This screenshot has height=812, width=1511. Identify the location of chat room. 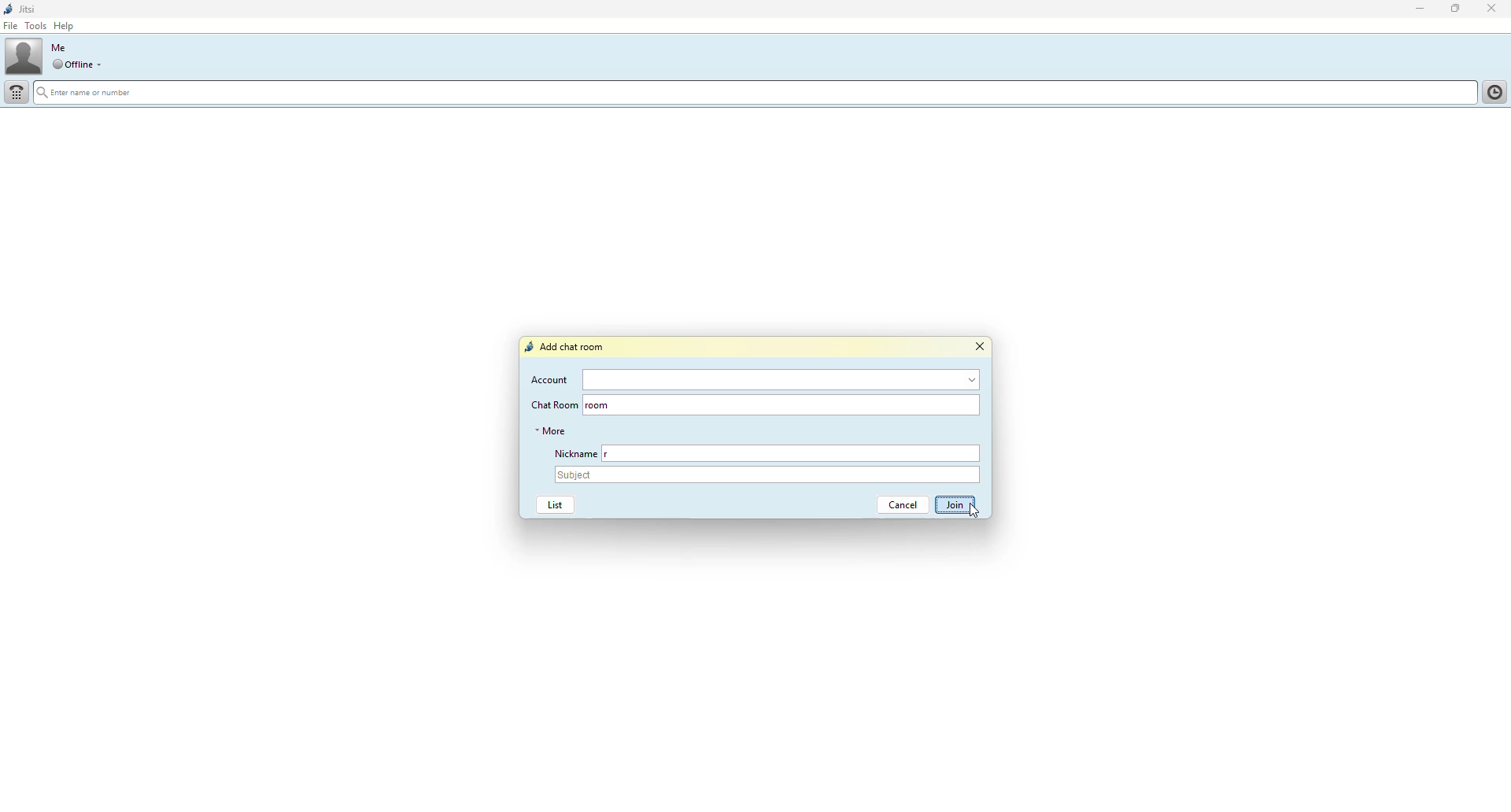
(796, 404).